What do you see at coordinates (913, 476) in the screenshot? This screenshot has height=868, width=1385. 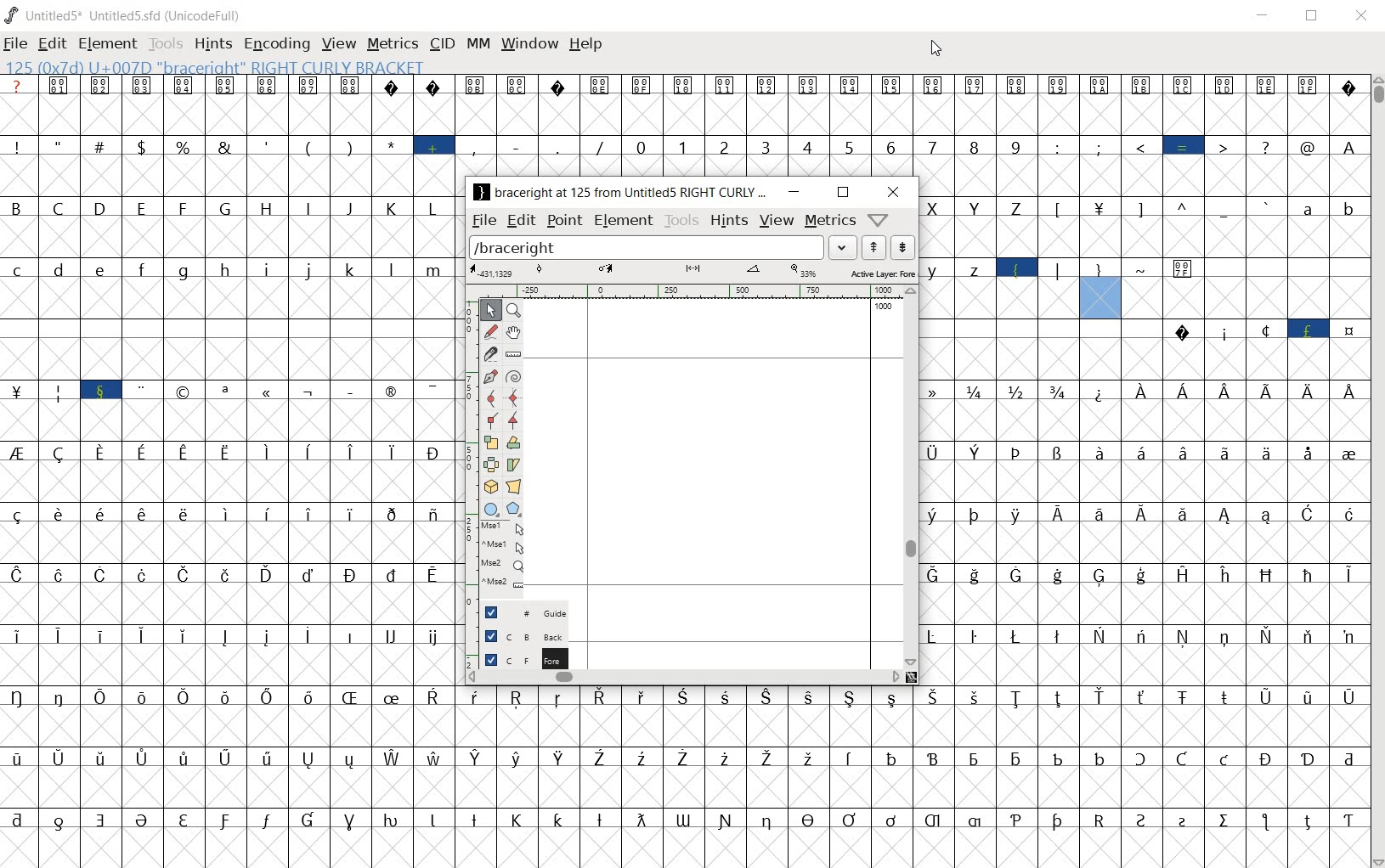 I see `scrollbar` at bounding box center [913, 476].